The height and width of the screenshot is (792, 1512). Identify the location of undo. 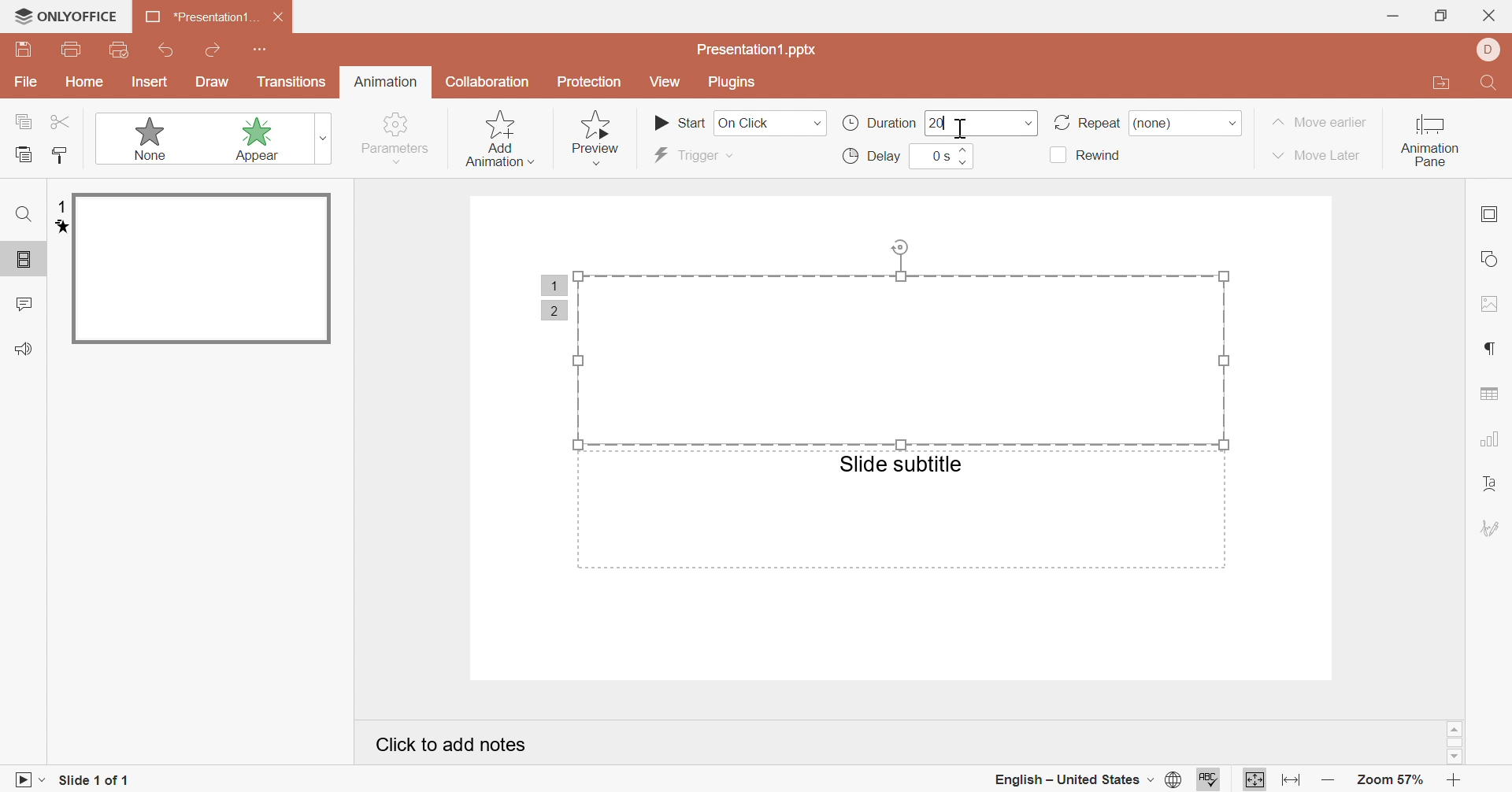
(166, 50).